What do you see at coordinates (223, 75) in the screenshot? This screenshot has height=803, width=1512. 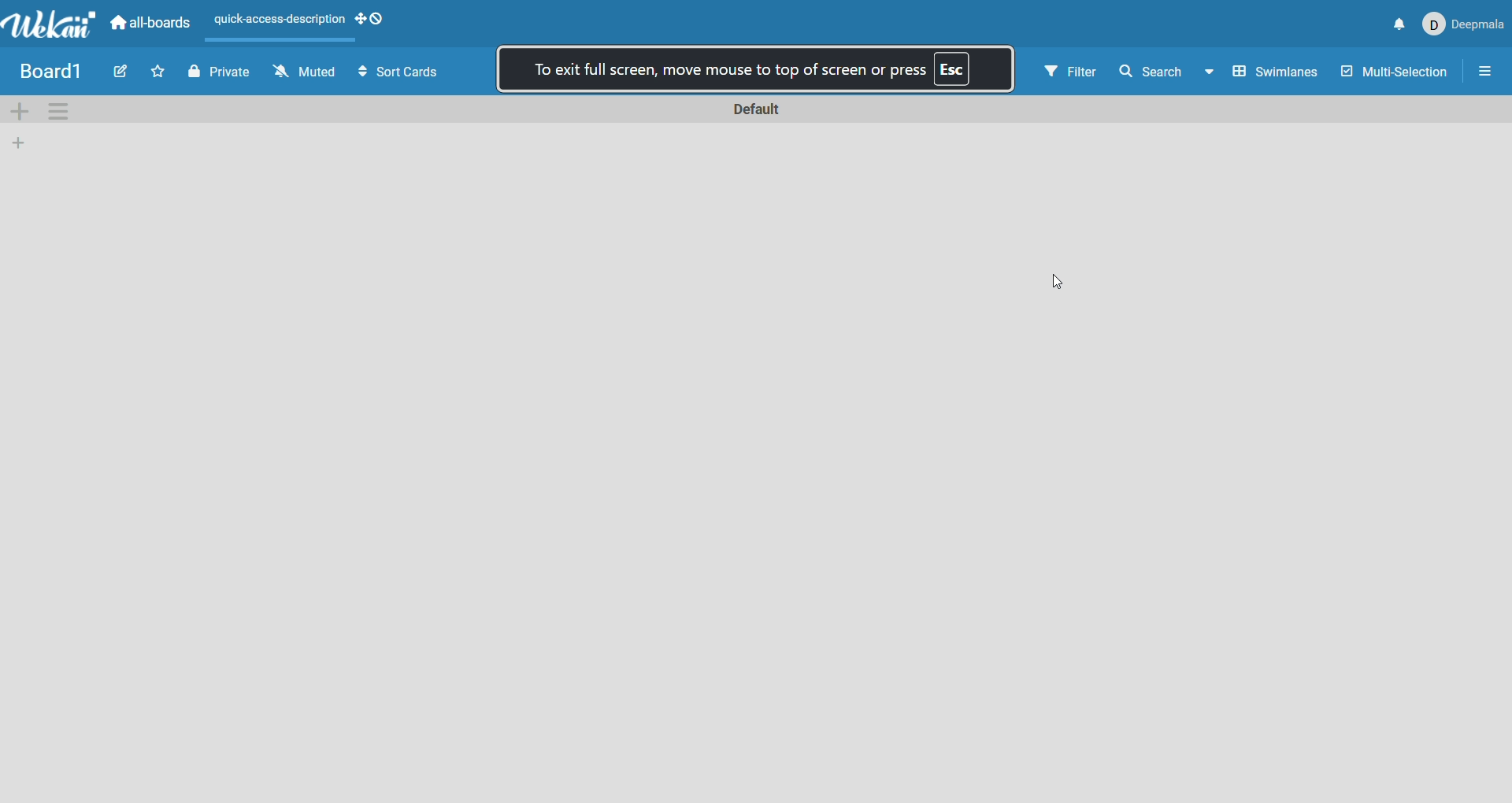 I see `private` at bounding box center [223, 75].